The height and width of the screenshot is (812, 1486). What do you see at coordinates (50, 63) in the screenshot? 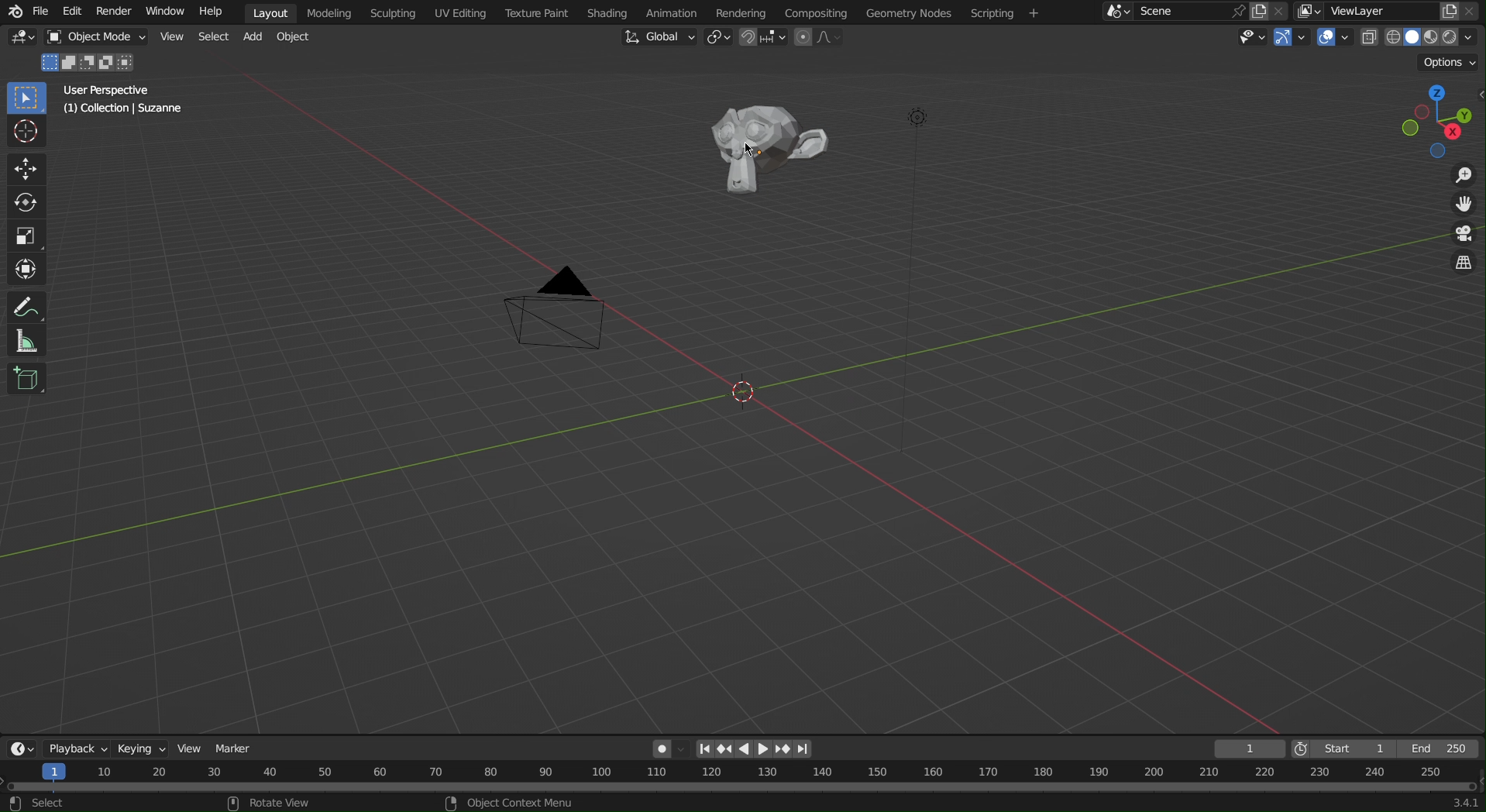
I see `set a new selection` at bounding box center [50, 63].